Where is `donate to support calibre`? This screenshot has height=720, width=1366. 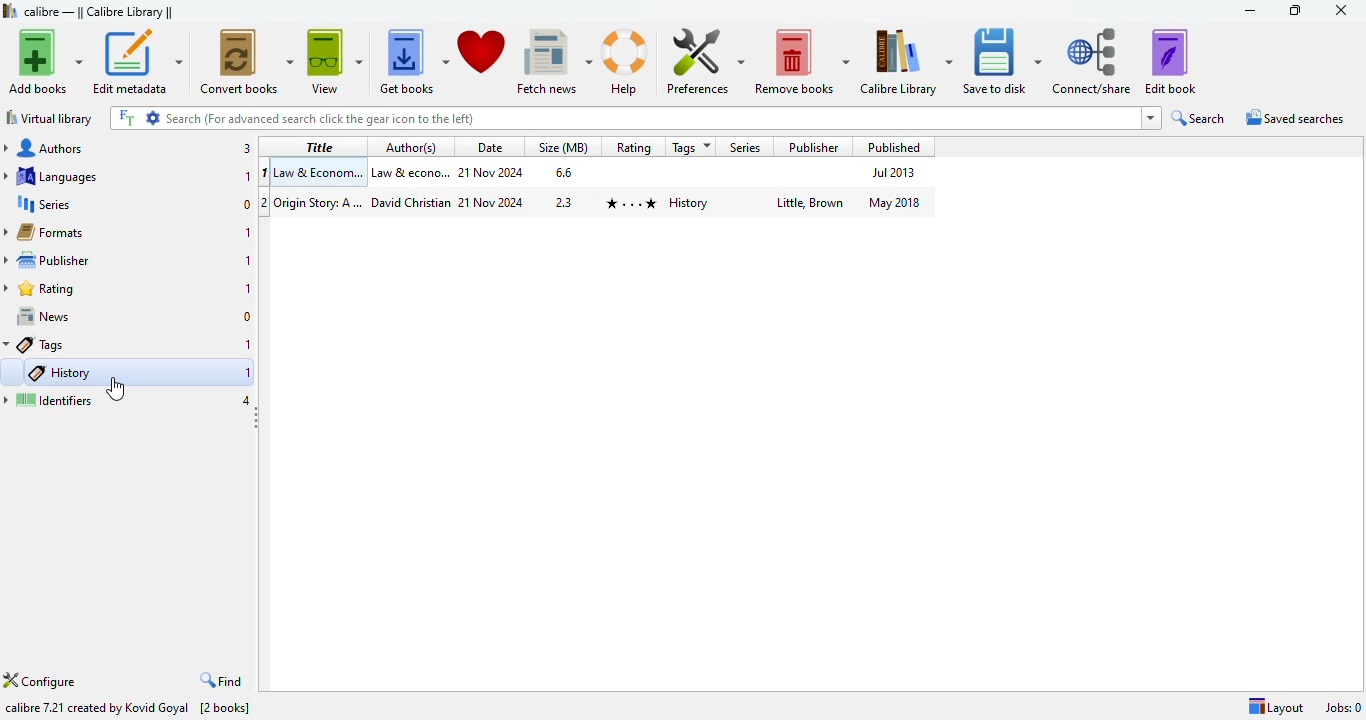
donate to support calibre is located at coordinates (482, 53).